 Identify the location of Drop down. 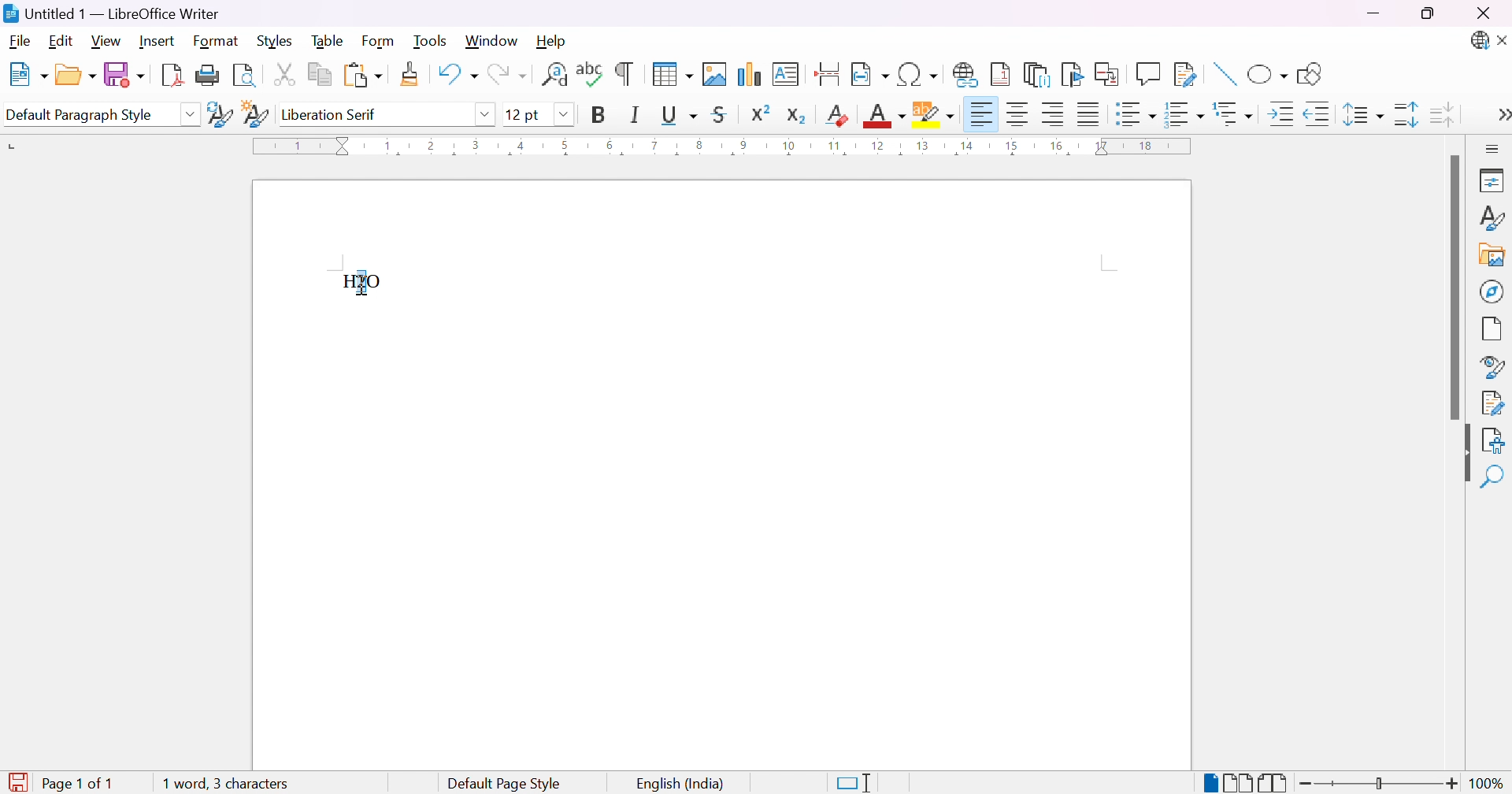
(485, 113).